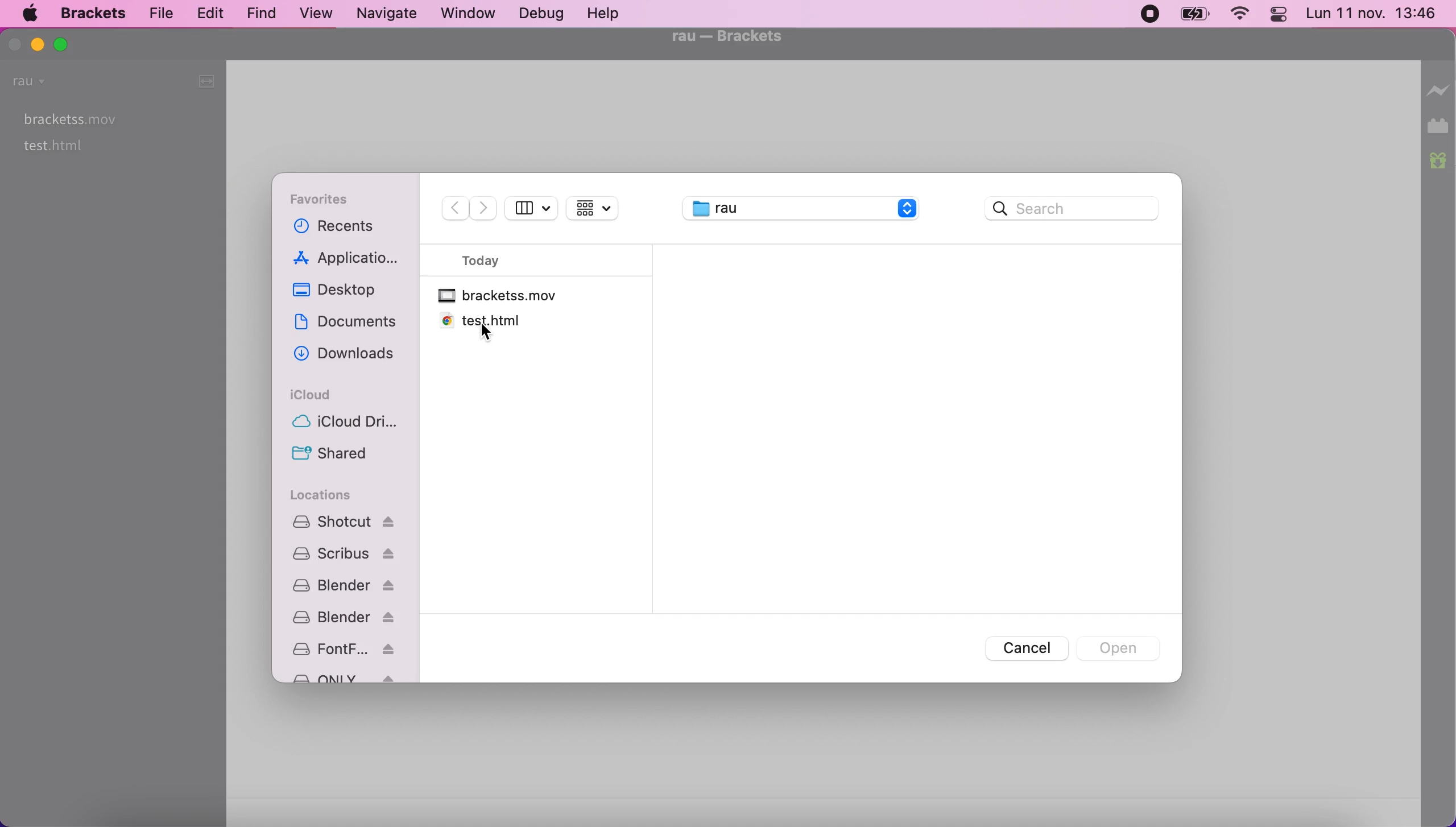  Describe the element at coordinates (1148, 15) in the screenshot. I see `recording stopped` at that location.